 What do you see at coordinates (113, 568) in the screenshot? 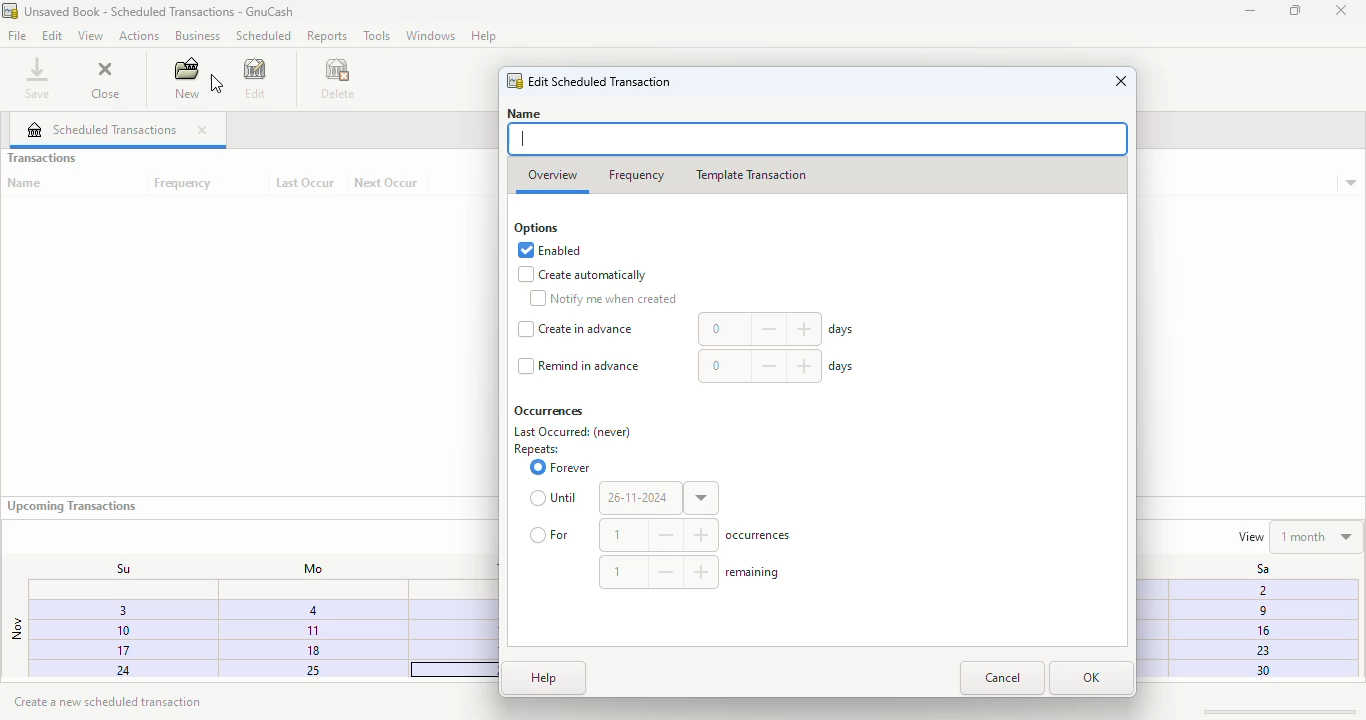
I see `Su` at bounding box center [113, 568].